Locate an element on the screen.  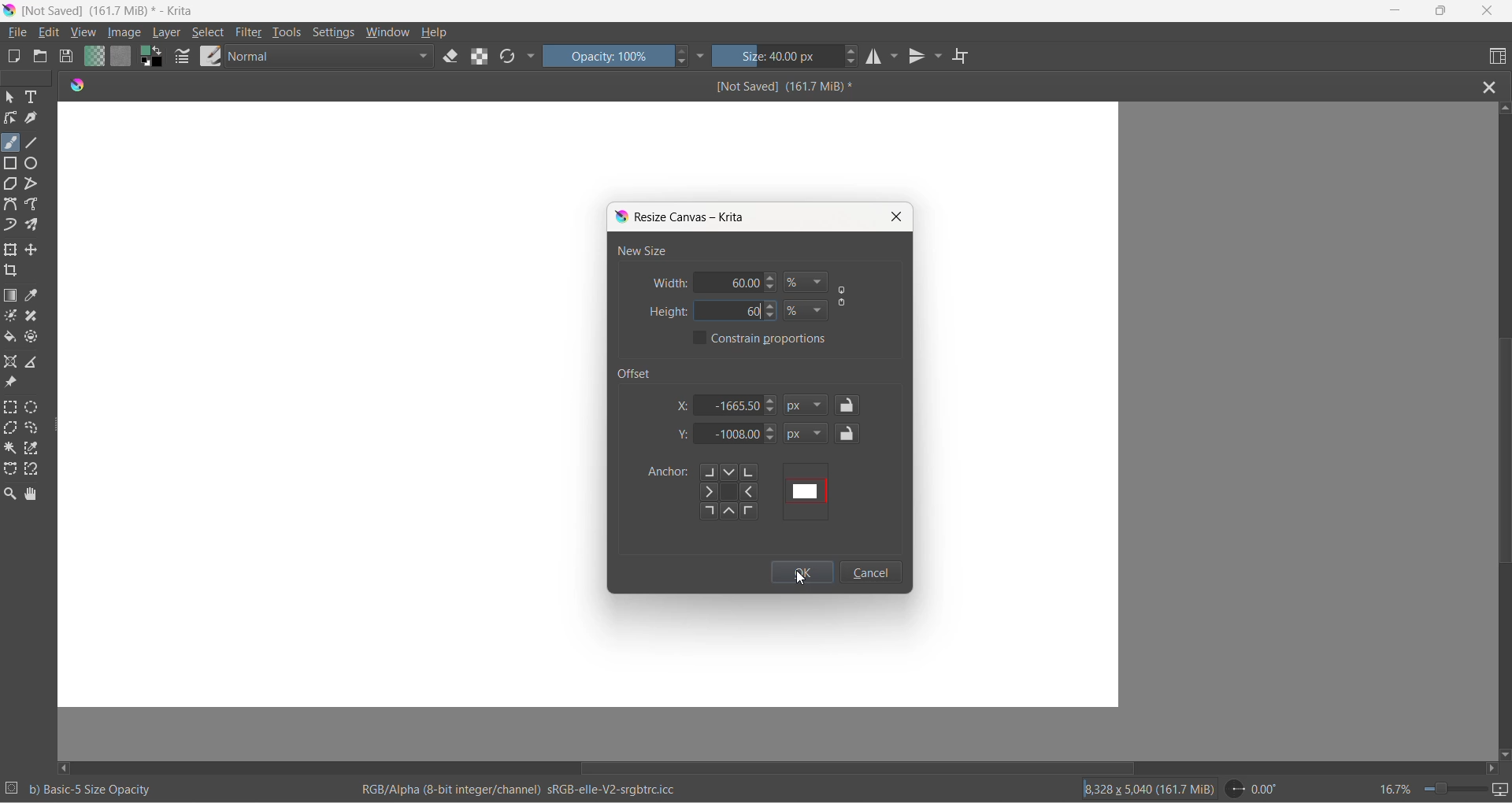
zoom button is located at coordinates (27, 78).